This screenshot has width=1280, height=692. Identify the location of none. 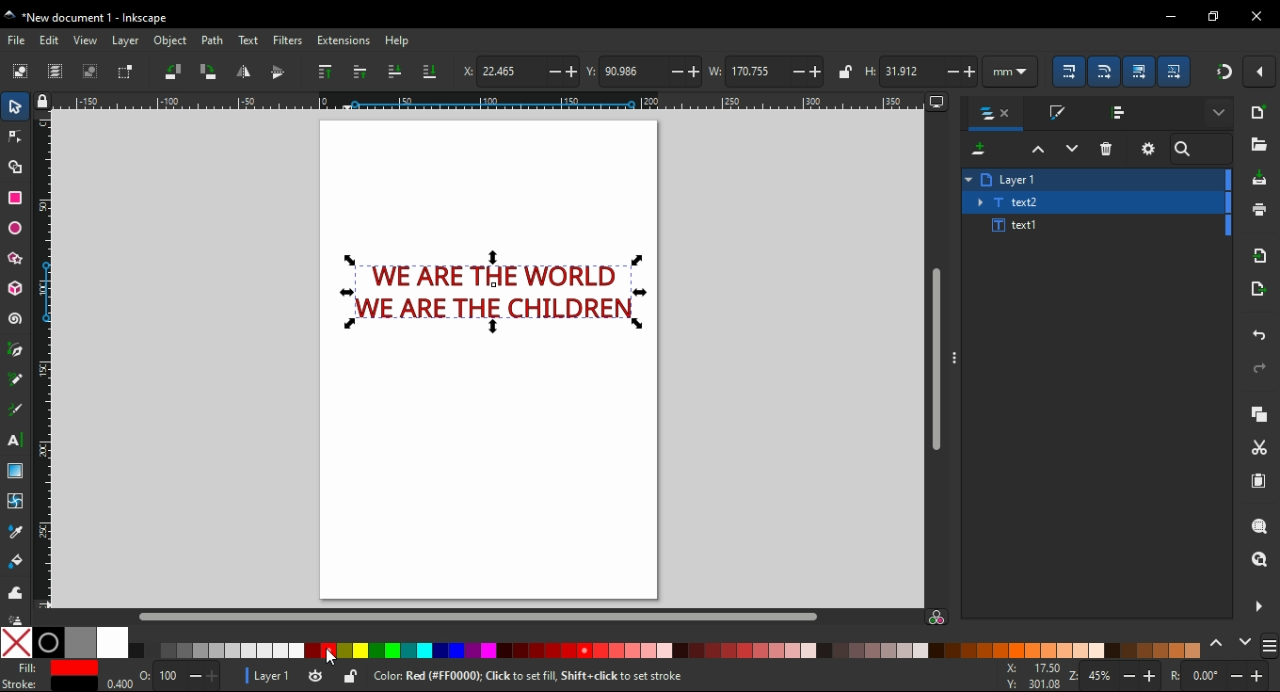
(15, 643).